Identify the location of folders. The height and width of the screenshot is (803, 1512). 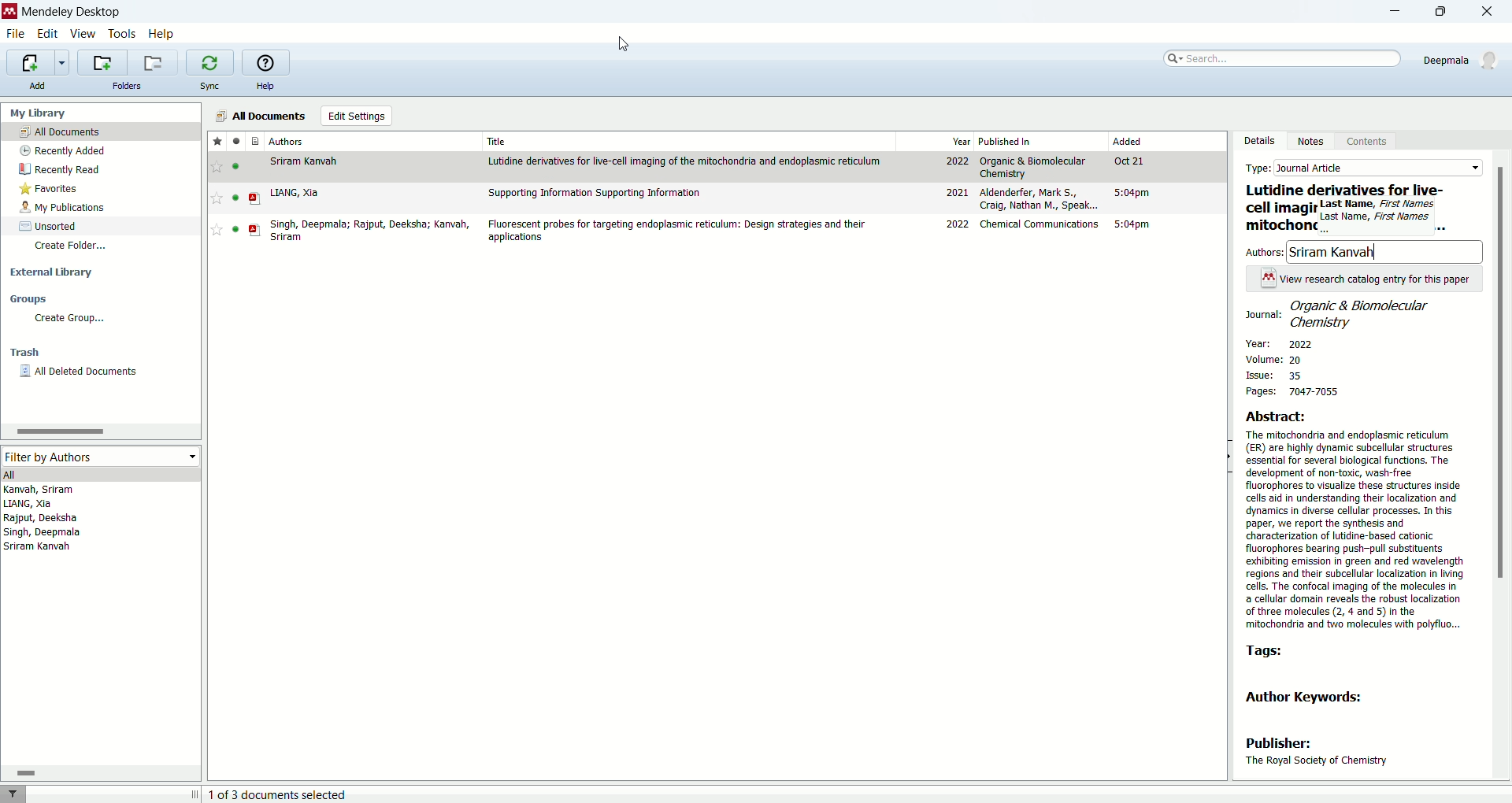
(130, 85).